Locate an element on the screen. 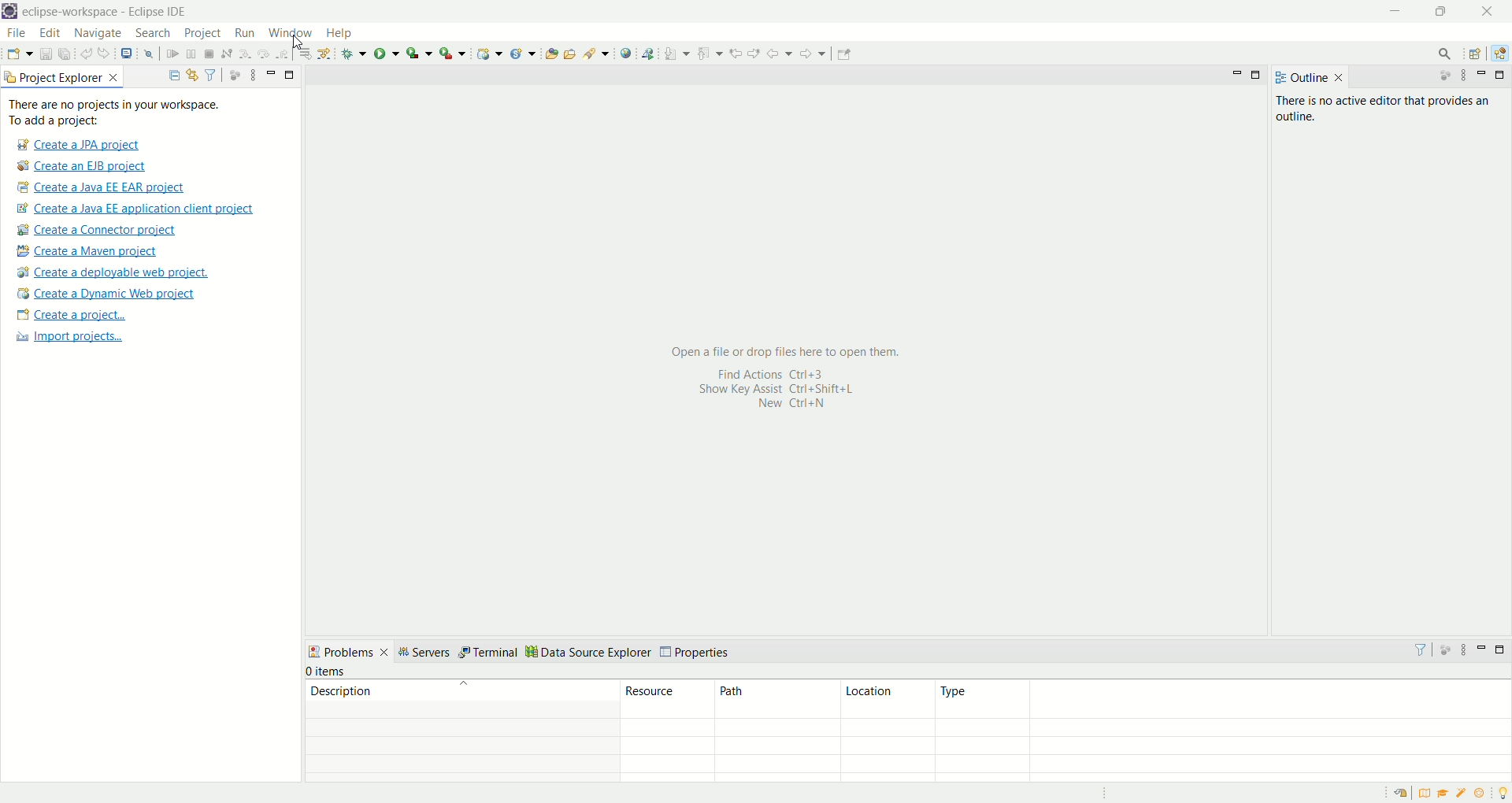 This screenshot has width=1512, height=803. open a terminal is located at coordinates (125, 54).